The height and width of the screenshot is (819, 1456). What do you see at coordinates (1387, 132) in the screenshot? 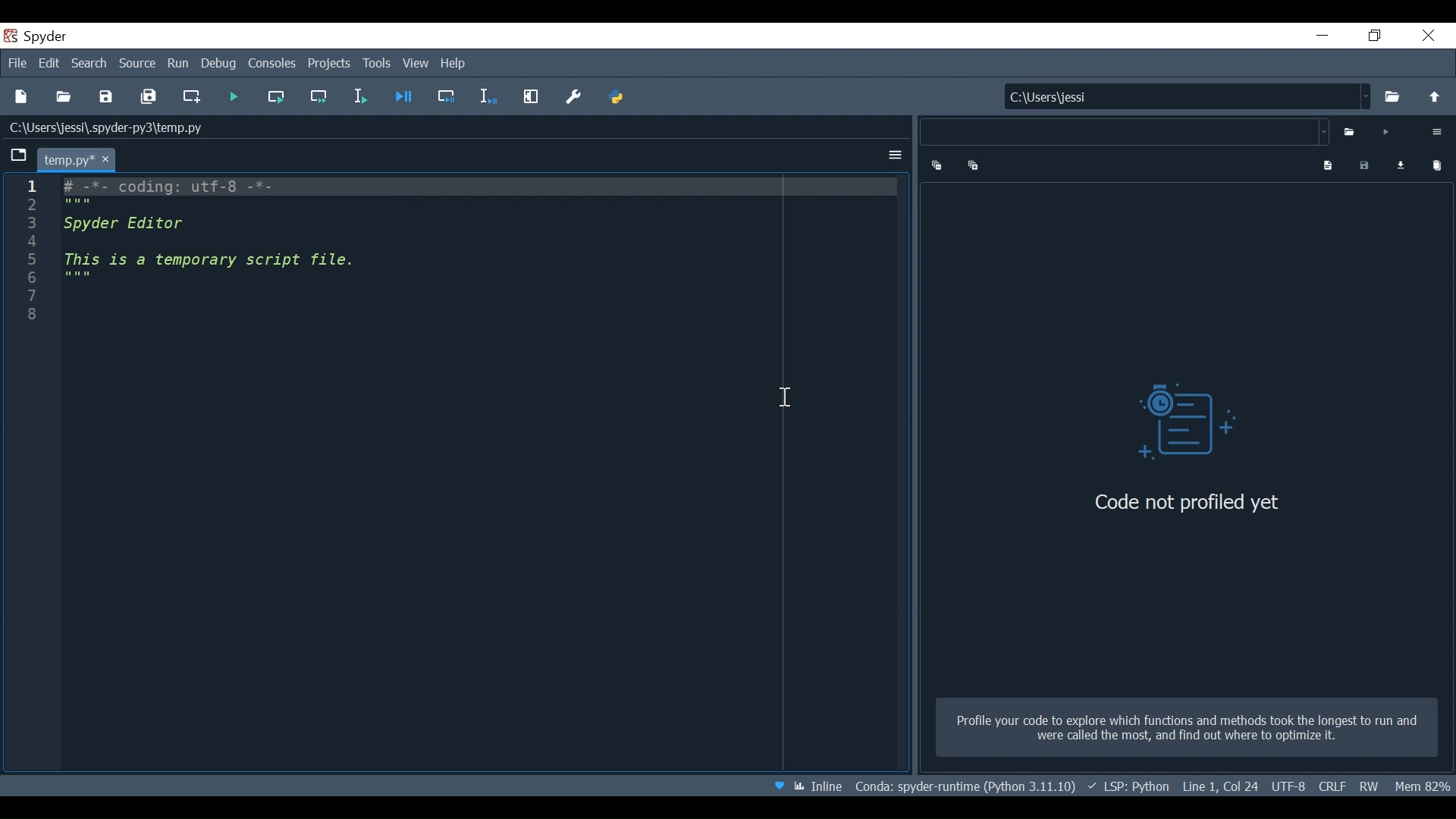
I see `Run Profiler` at bounding box center [1387, 132].